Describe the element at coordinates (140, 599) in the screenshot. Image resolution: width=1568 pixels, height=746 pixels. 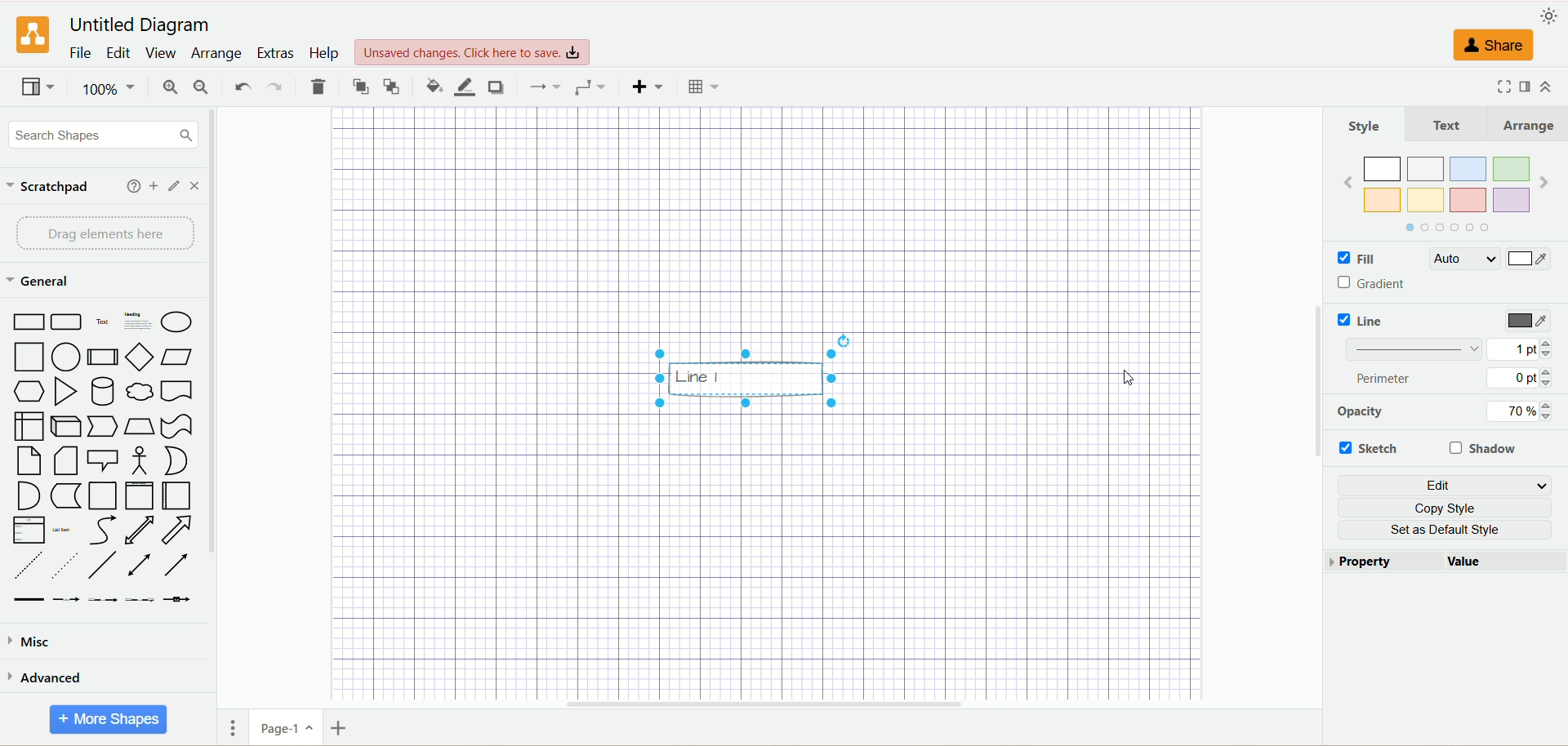
I see `Connector with 3 labels` at that location.